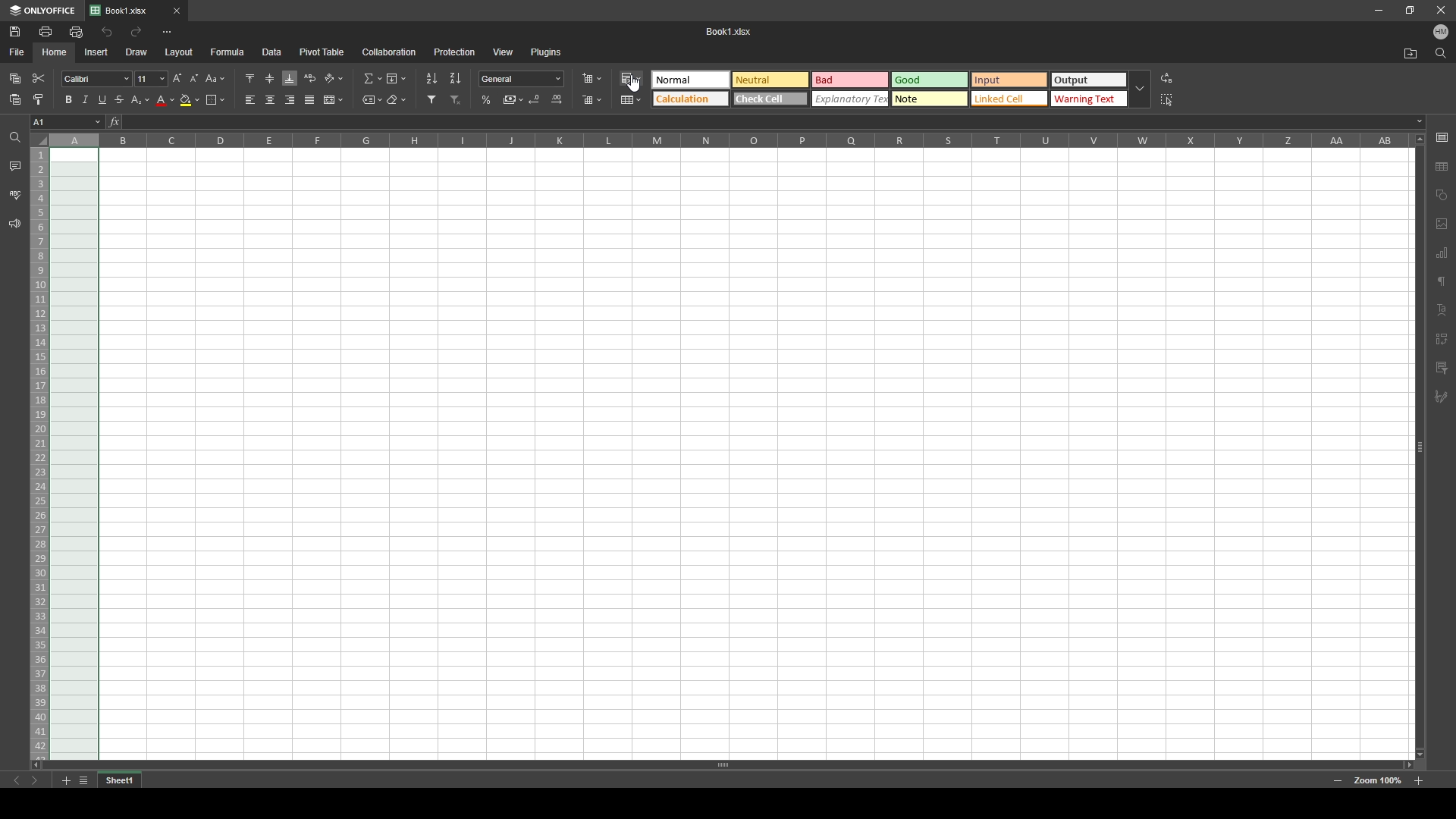 This screenshot has width=1456, height=819. I want to click on align left, so click(249, 100).